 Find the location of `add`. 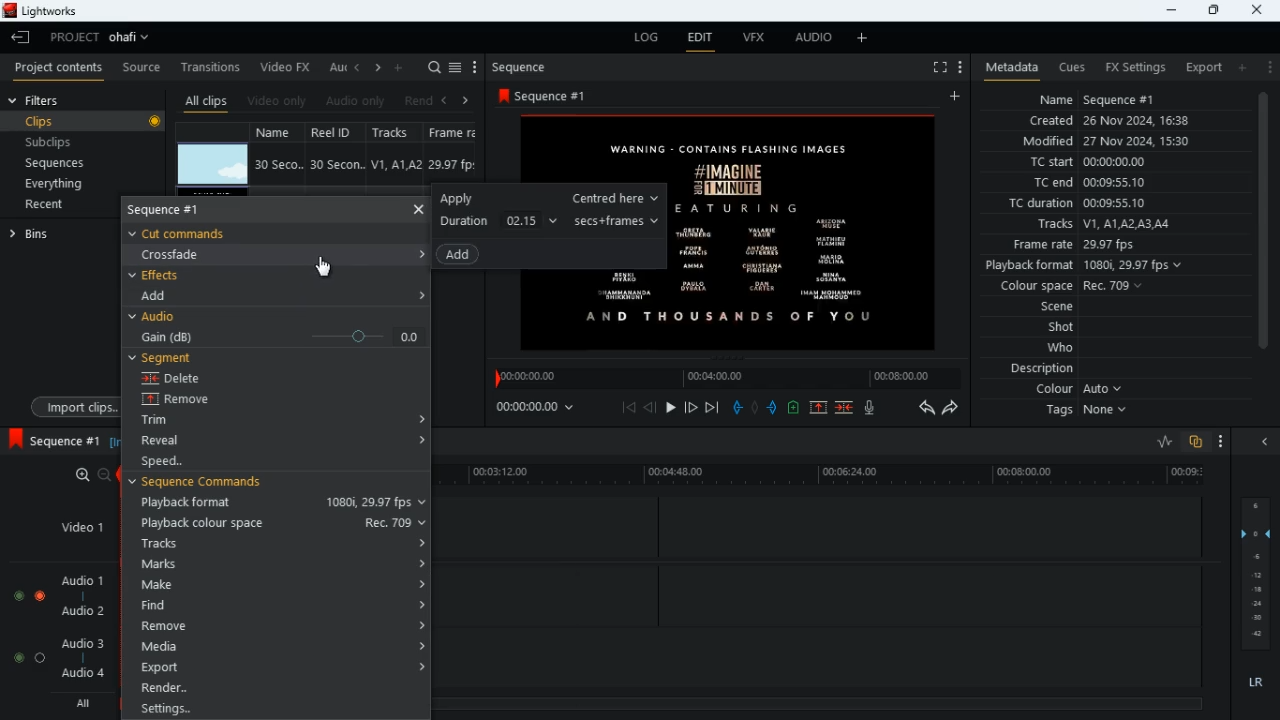

add is located at coordinates (1241, 67).